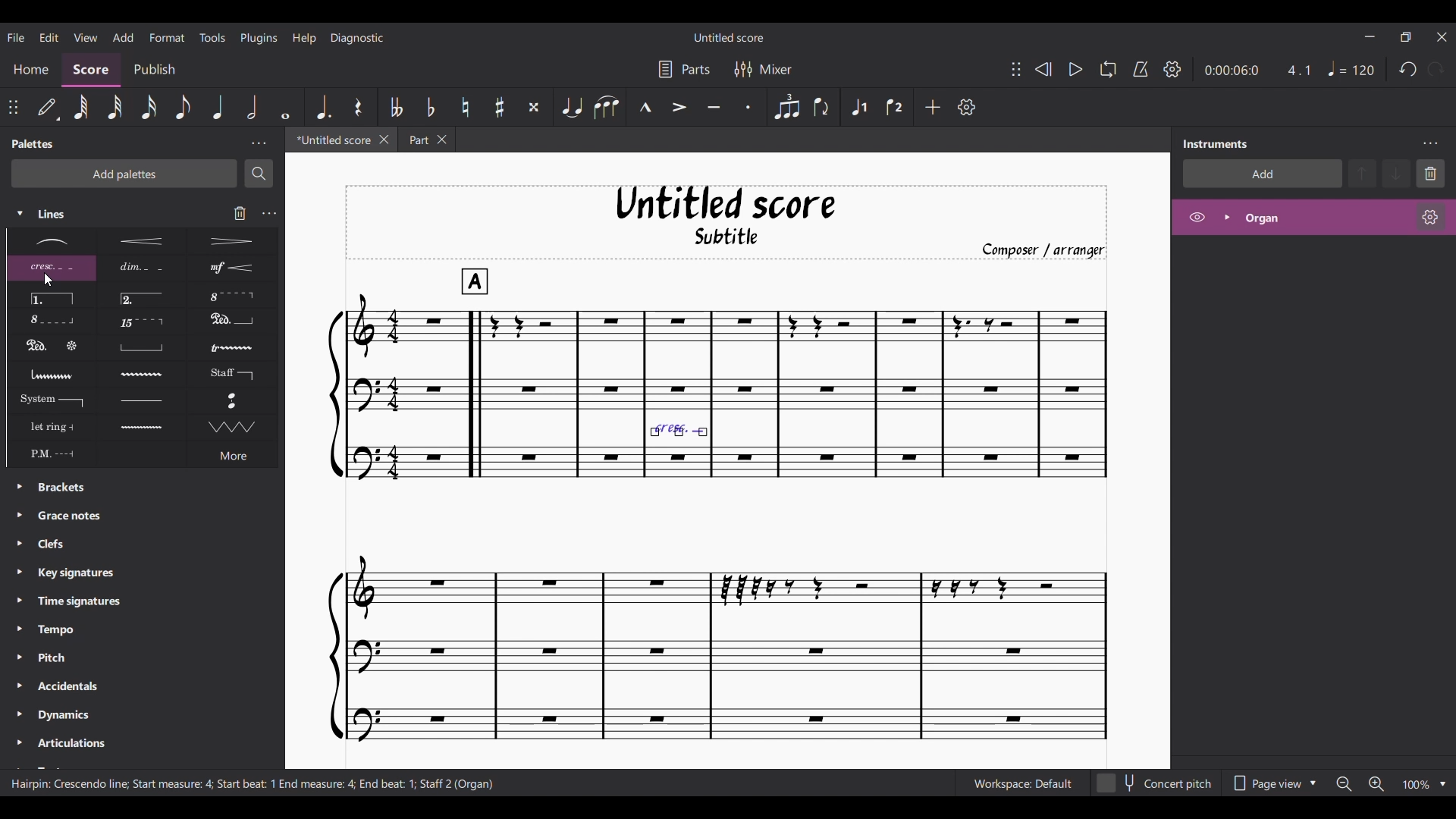  What do you see at coordinates (1108, 69) in the screenshot?
I see `Looping playback` at bounding box center [1108, 69].